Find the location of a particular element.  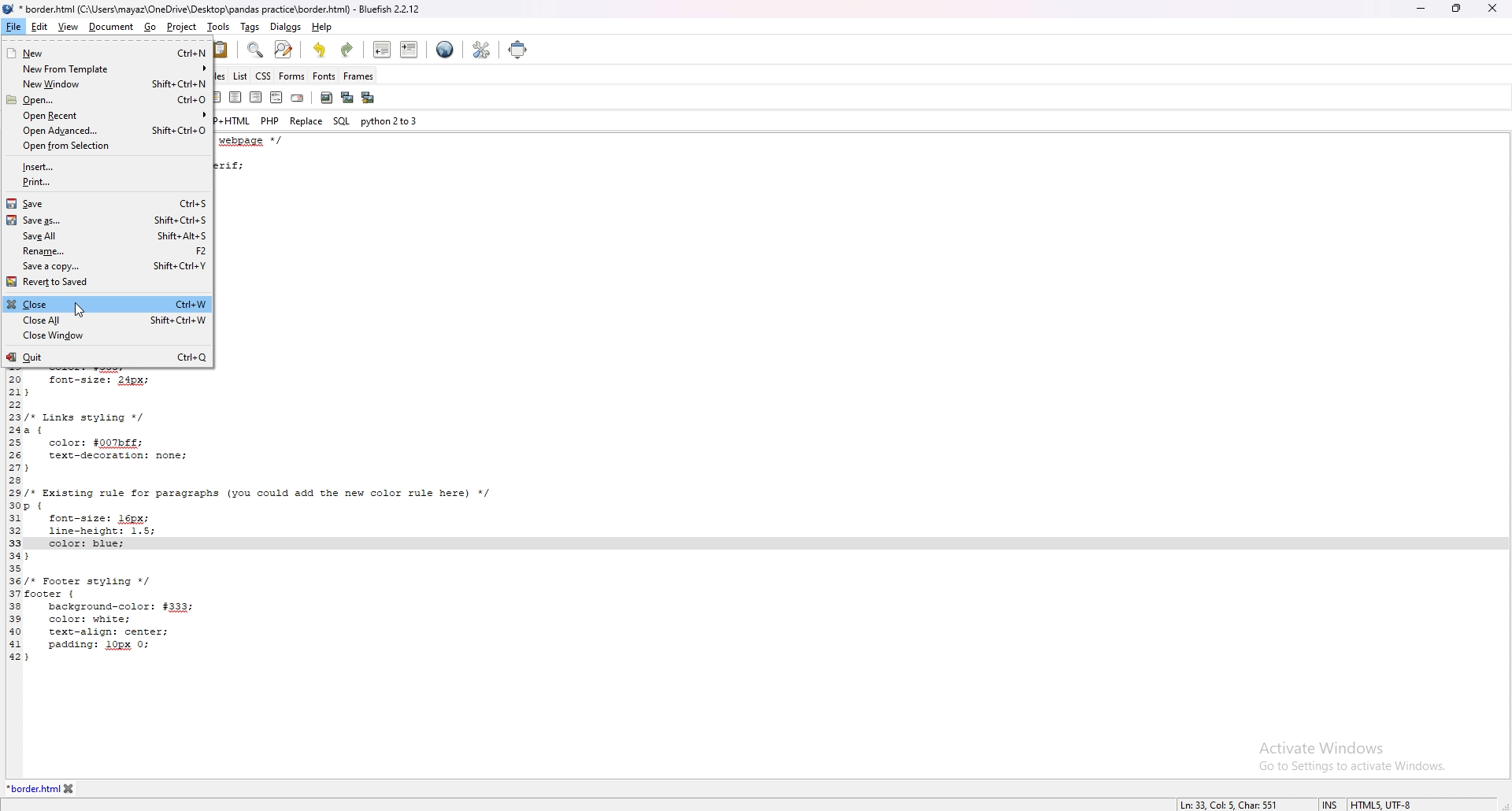

email is located at coordinates (297, 98).